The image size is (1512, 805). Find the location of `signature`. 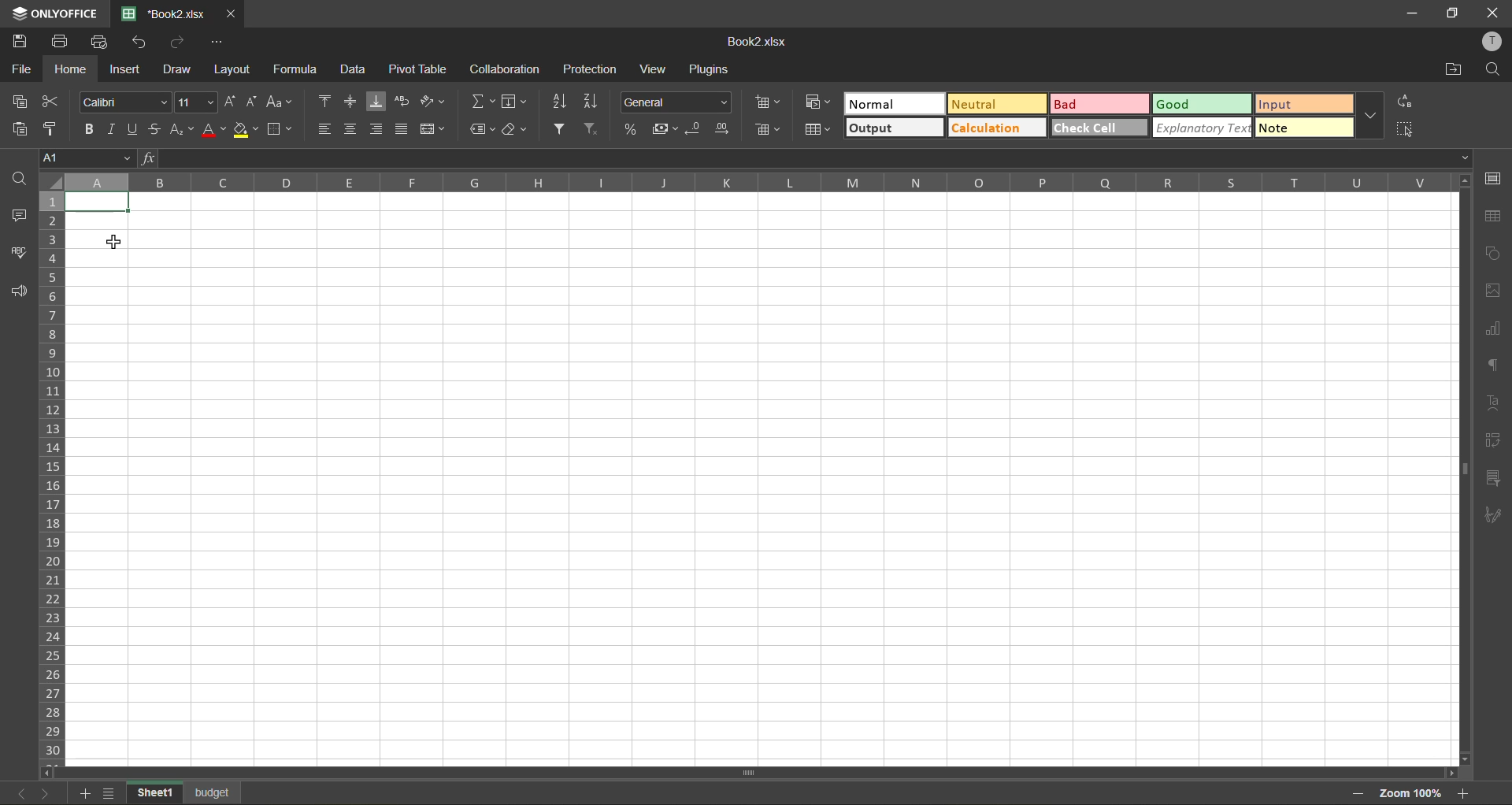

signature is located at coordinates (1494, 518).